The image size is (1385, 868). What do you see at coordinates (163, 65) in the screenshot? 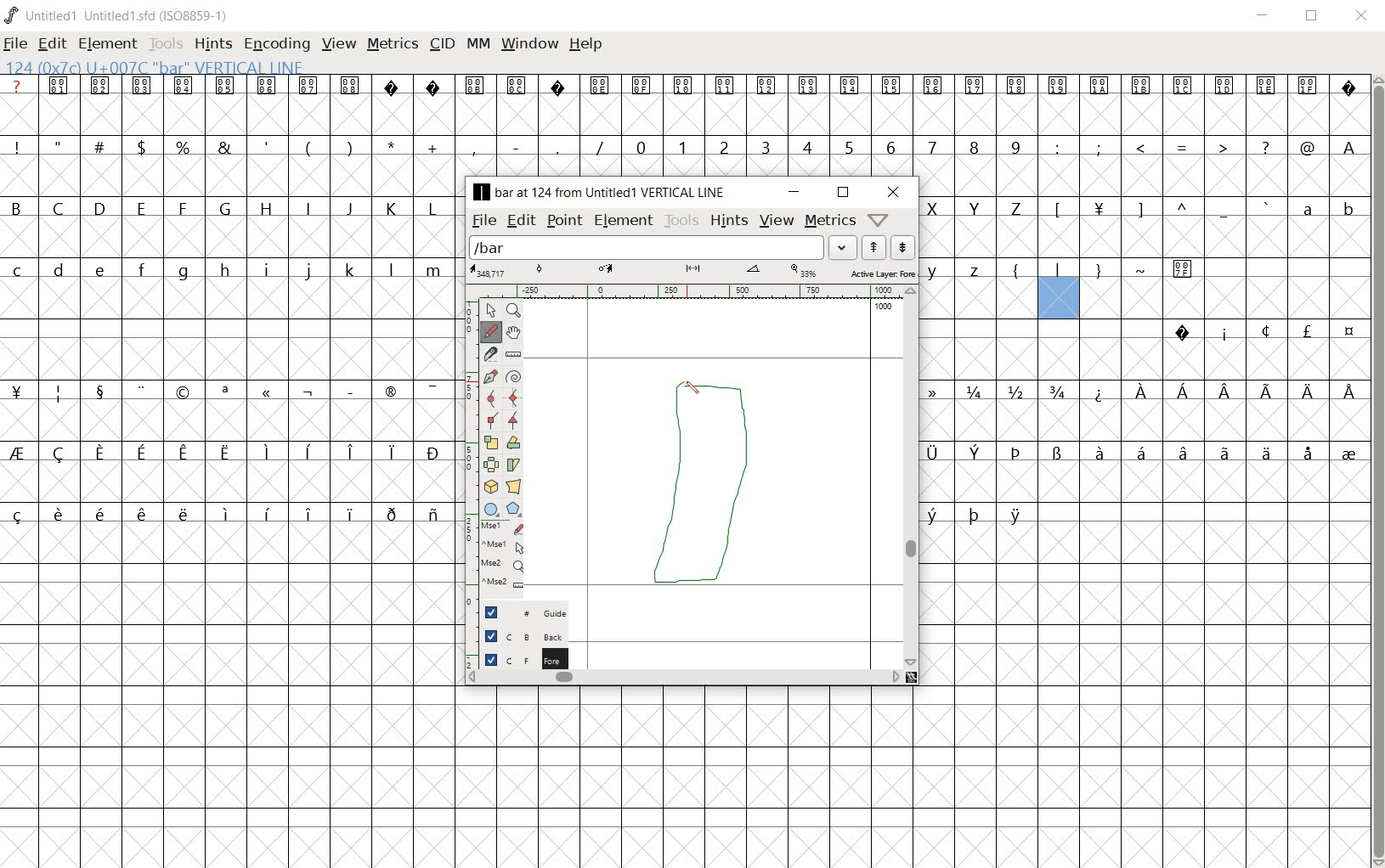
I see `124(0*7c)U+007c"bar"Vertical Line` at bounding box center [163, 65].